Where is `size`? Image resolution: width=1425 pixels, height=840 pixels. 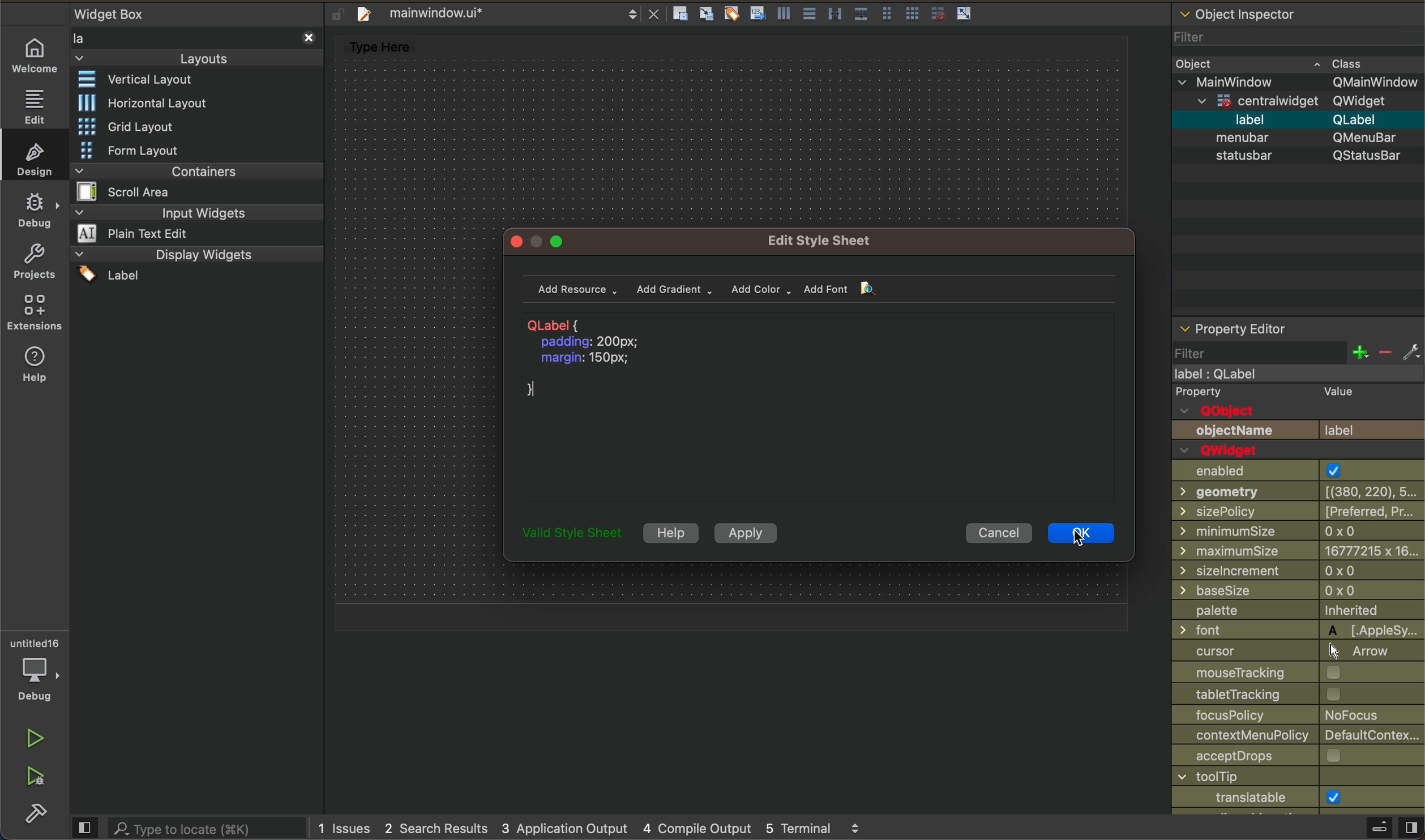 size is located at coordinates (1298, 572).